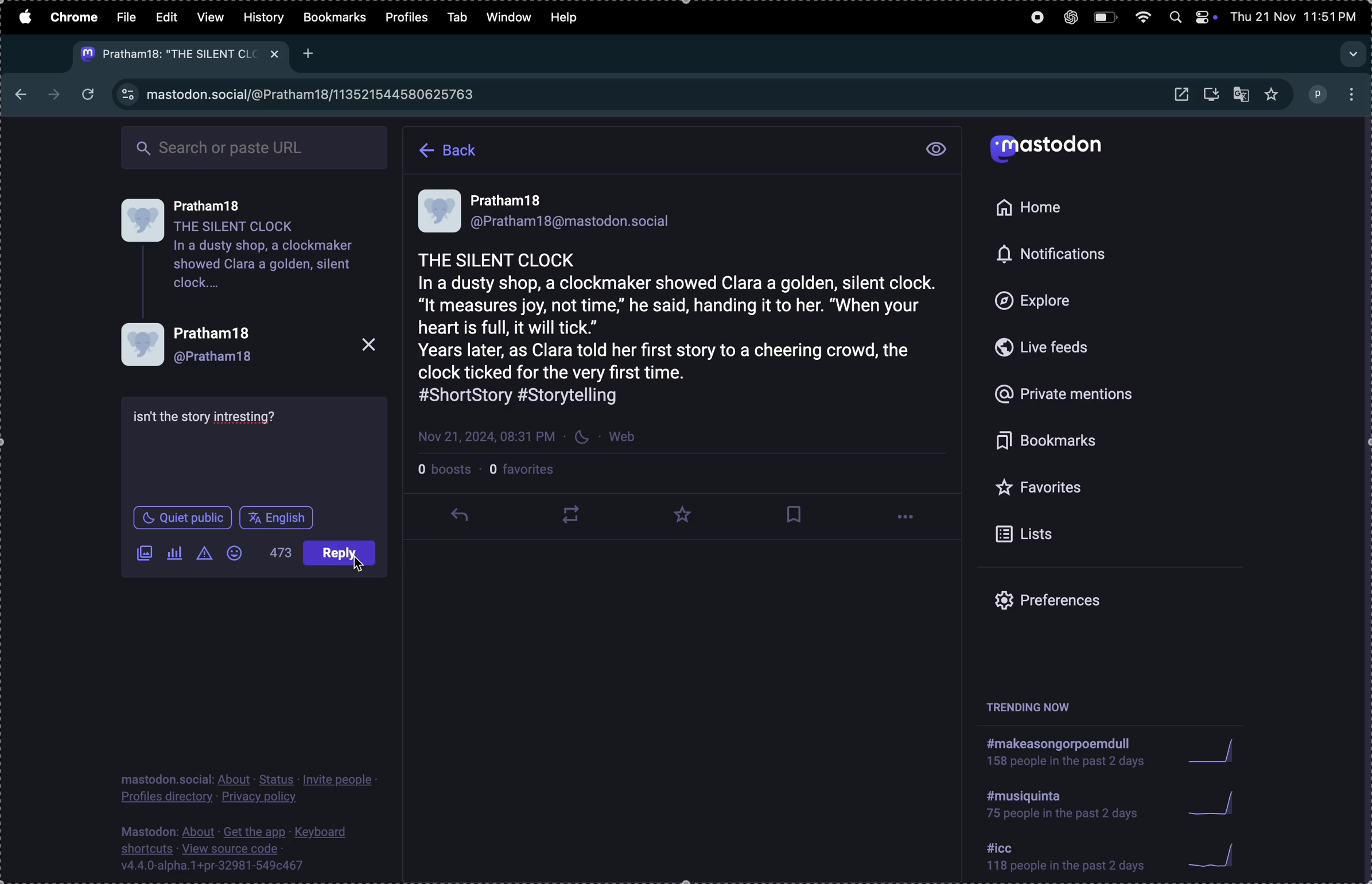 The height and width of the screenshot is (884, 1372). What do you see at coordinates (1067, 859) in the screenshot?
I see `icc` at bounding box center [1067, 859].